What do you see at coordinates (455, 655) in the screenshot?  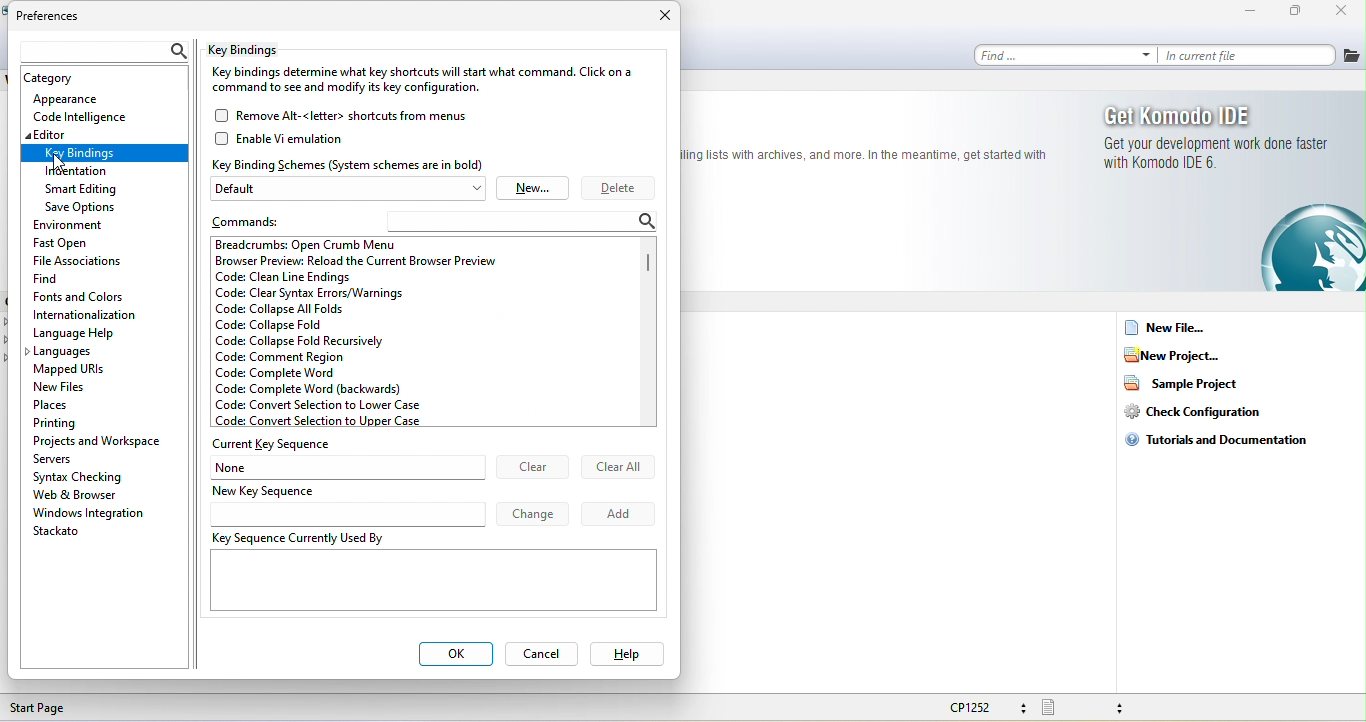 I see `ok` at bounding box center [455, 655].